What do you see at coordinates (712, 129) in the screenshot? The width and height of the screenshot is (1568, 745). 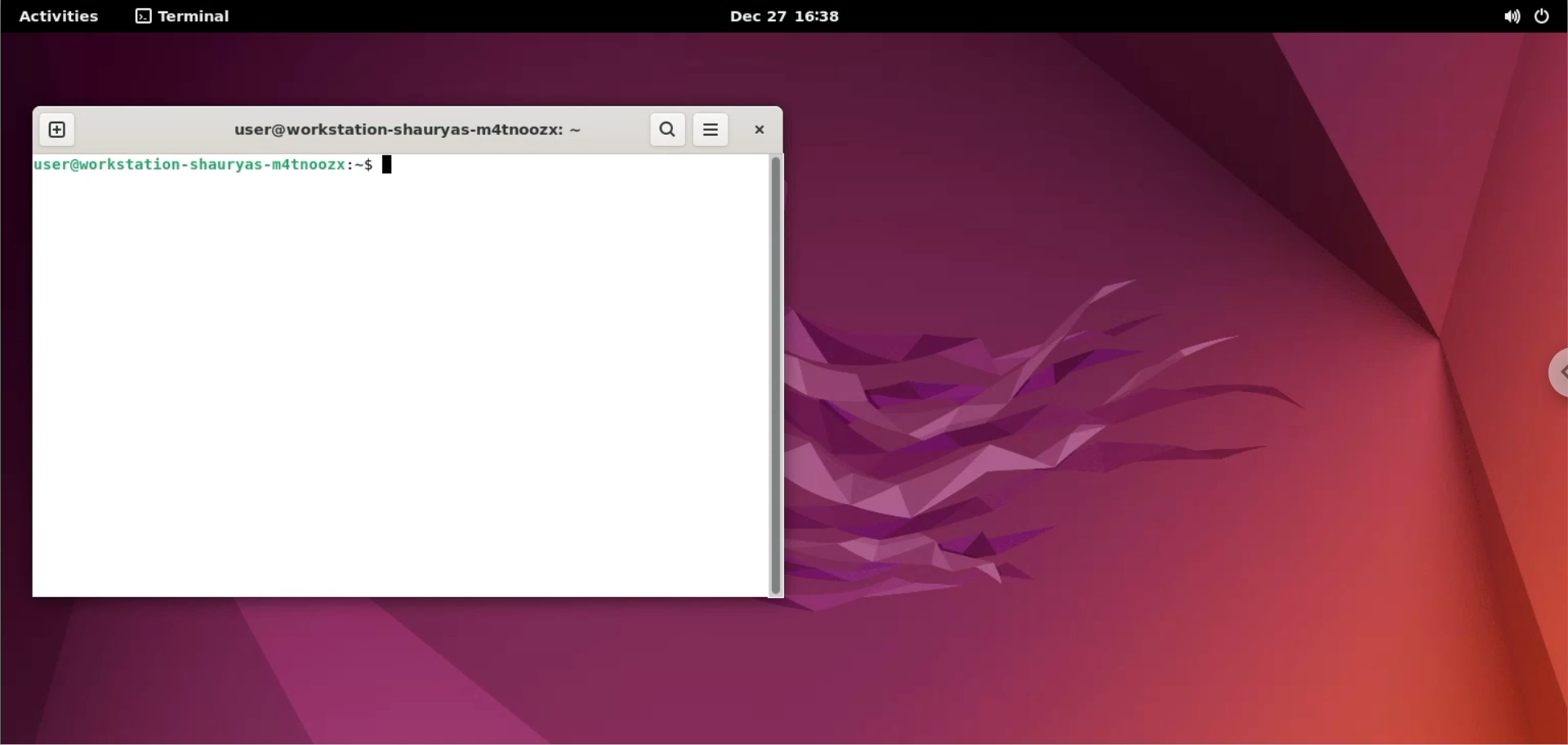 I see `more options` at bounding box center [712, 129].